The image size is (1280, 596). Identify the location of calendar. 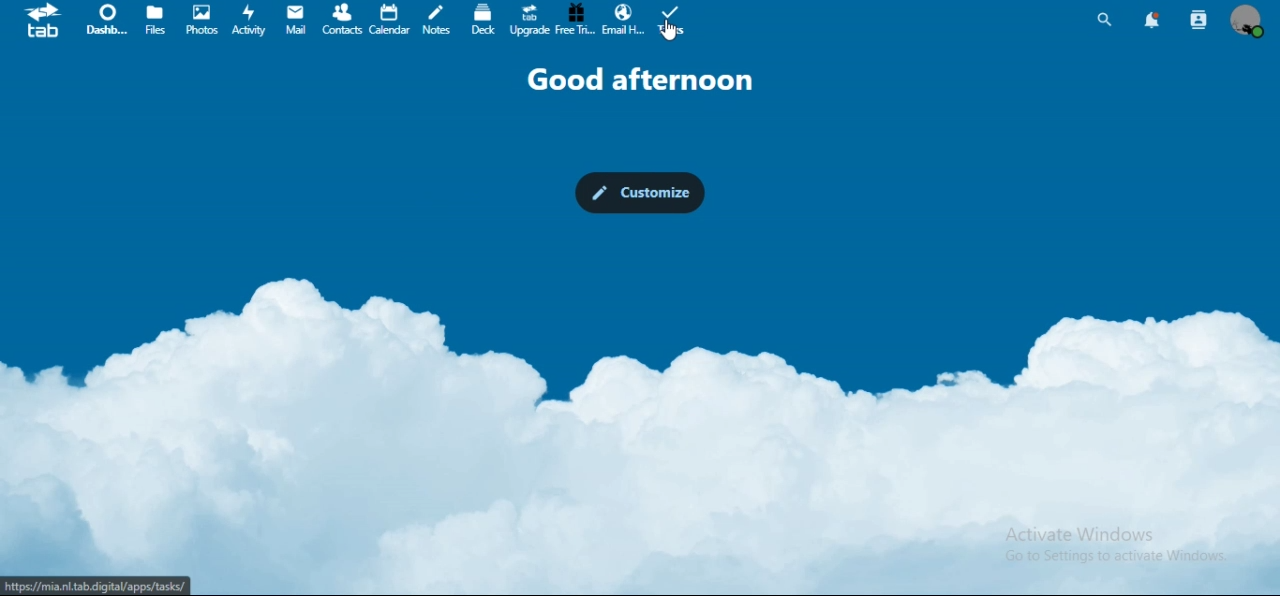
(390, 19).